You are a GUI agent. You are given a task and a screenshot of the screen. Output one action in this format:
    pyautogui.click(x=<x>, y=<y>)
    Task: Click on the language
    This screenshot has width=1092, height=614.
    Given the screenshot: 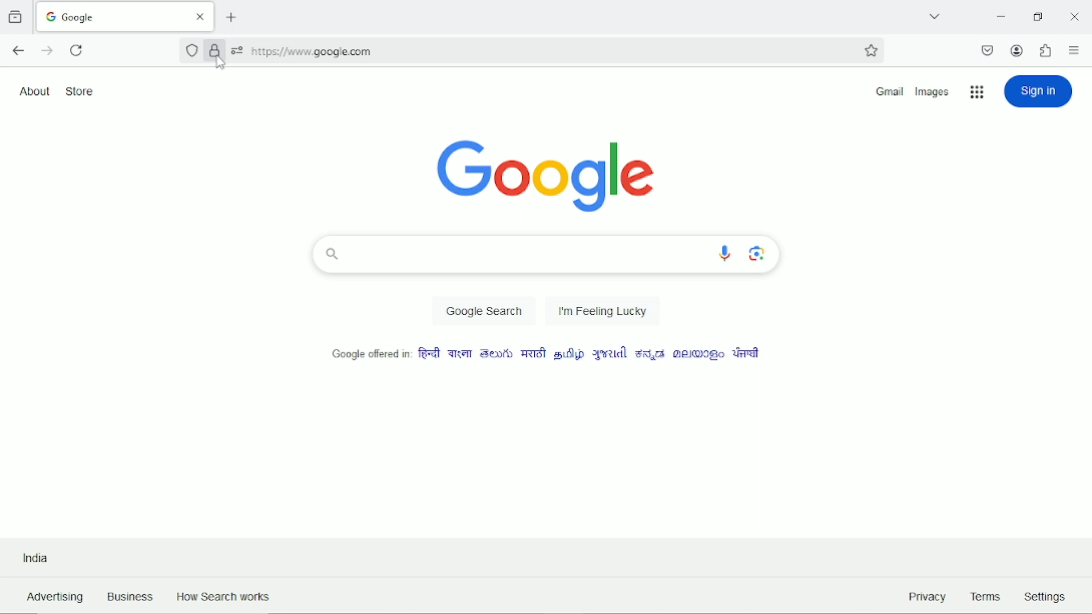 What is the action you would take?
    pyautogui.click(x=531, y=353)
    